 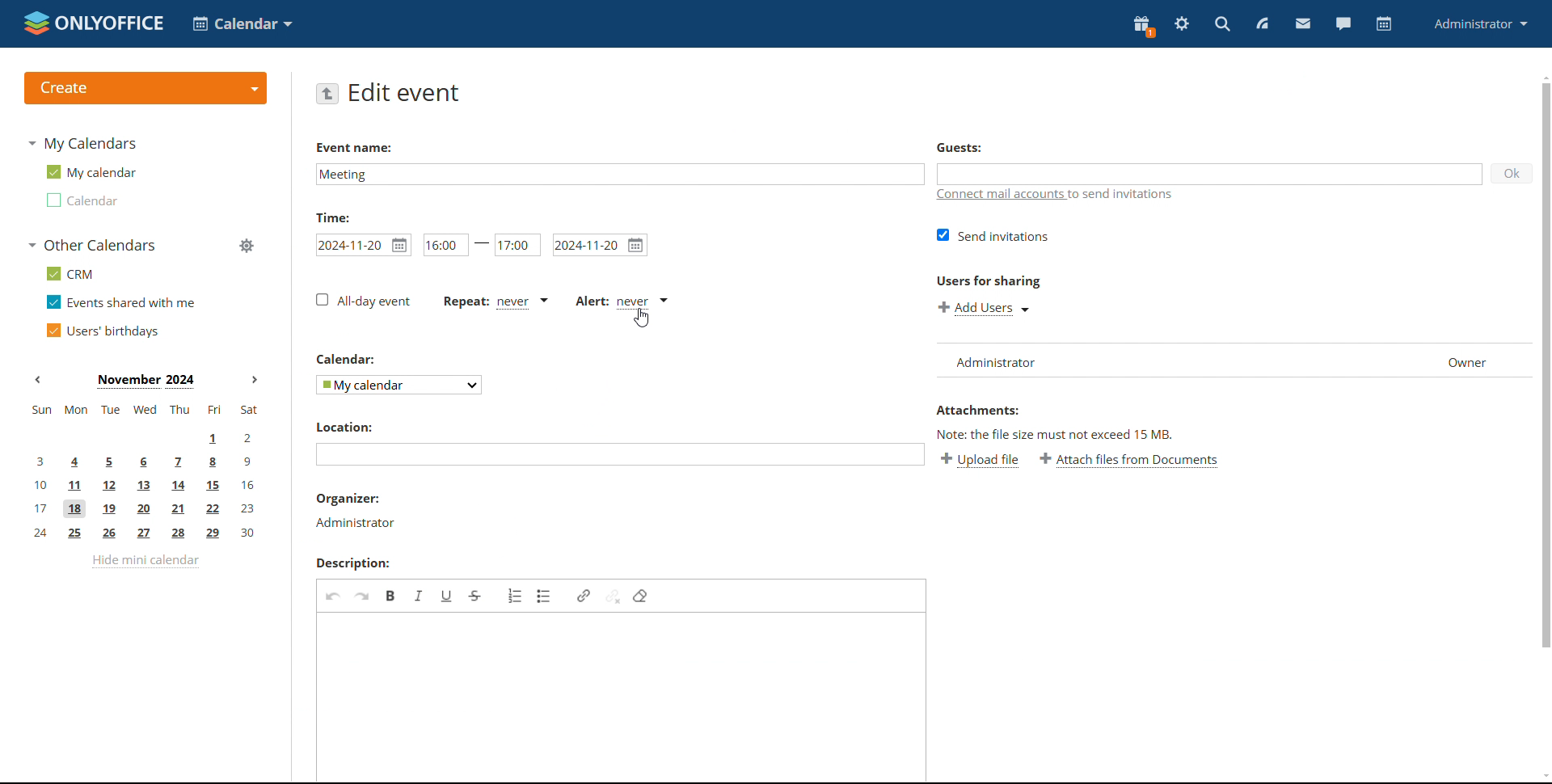 I want to click on undo, so click(x=333, y=594).